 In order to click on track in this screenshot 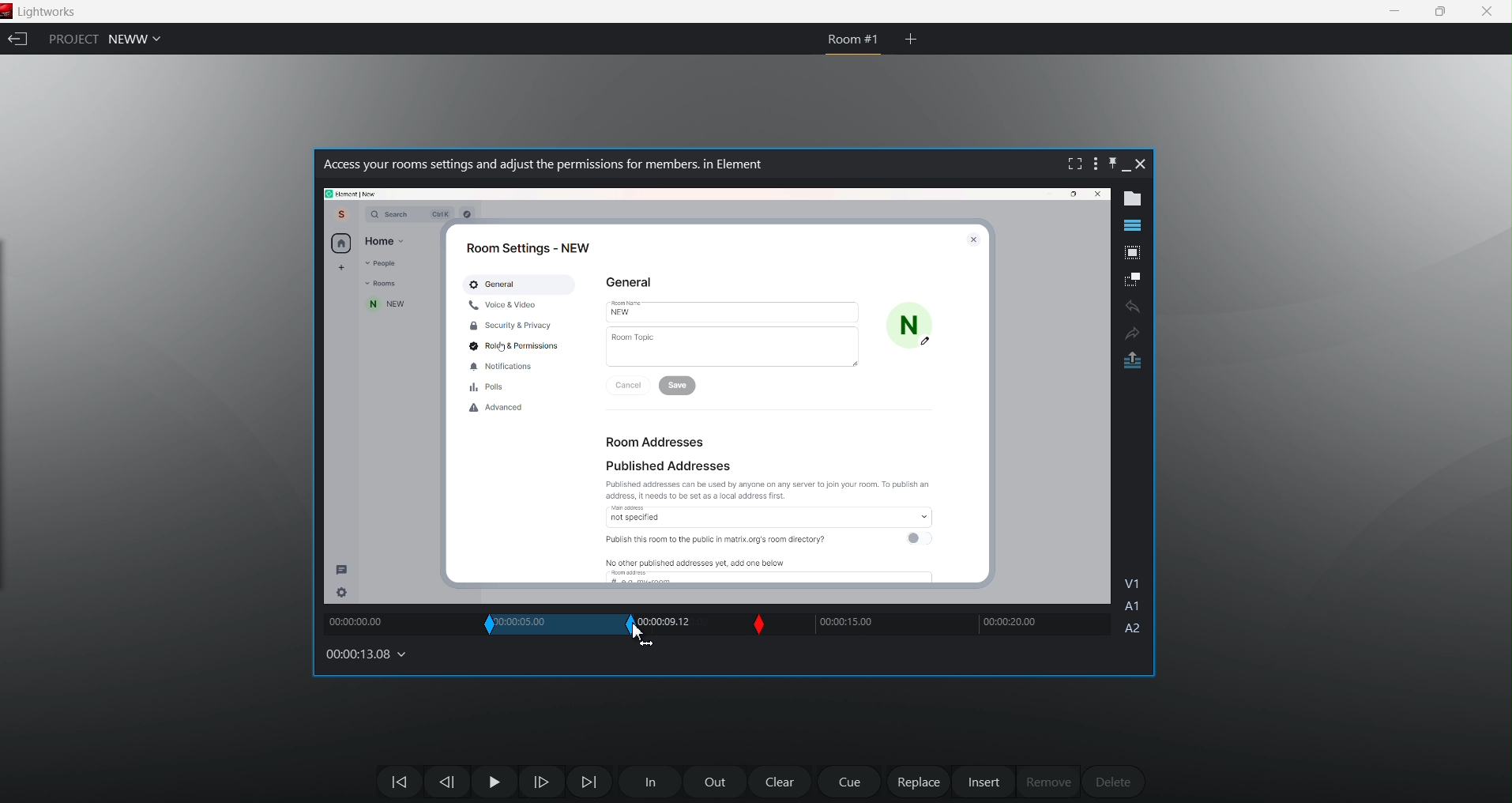, I will do `click(693, 622)`.